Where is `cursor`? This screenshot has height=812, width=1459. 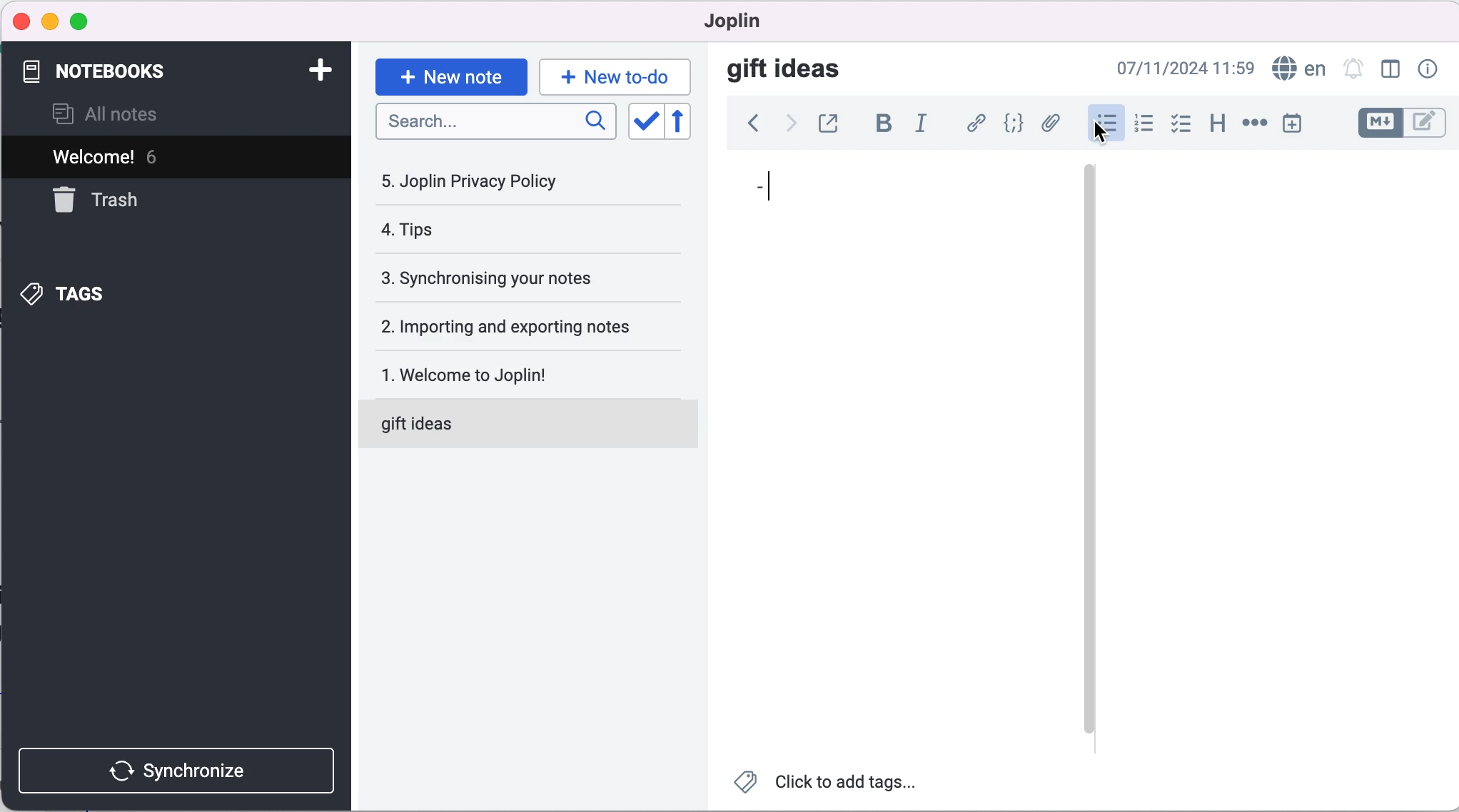
cursor is located at coordinates (1102, 132).